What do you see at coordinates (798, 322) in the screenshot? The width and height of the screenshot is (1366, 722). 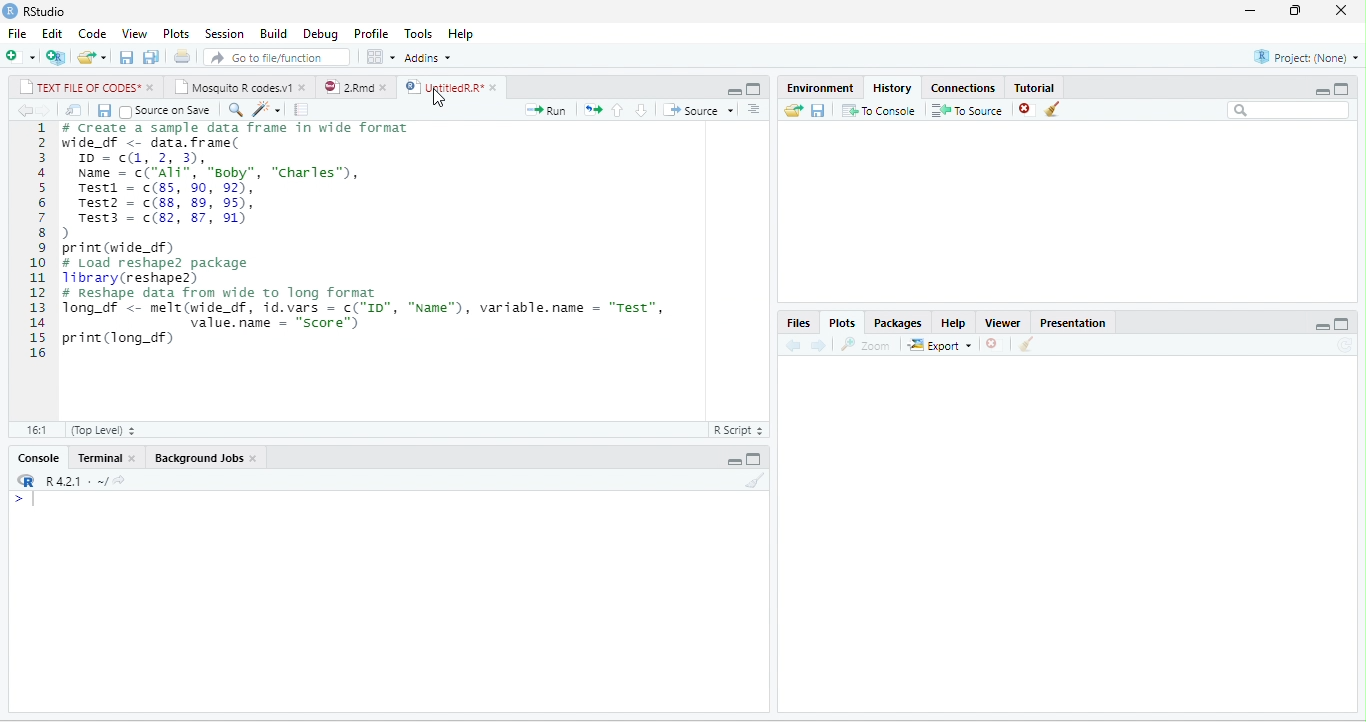 I see `Files` at bounding box center [798, 322].